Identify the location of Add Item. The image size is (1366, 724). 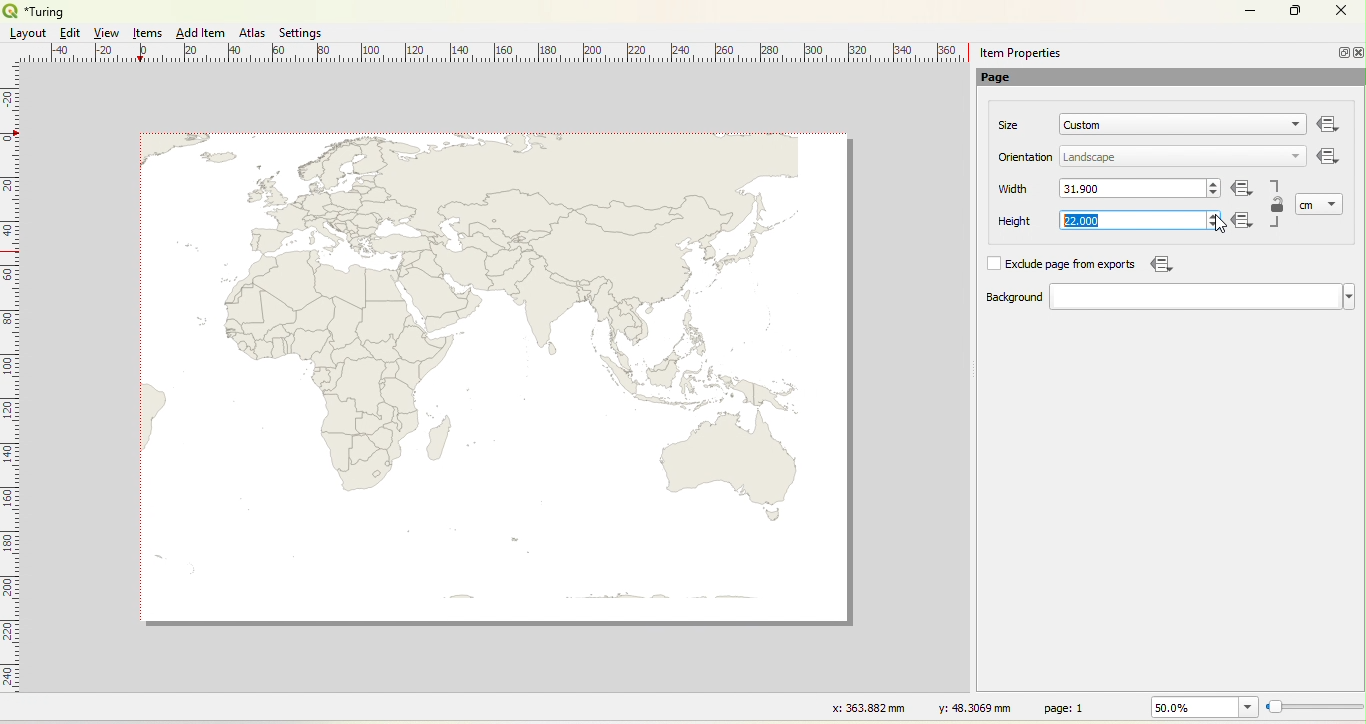
(200, 33).